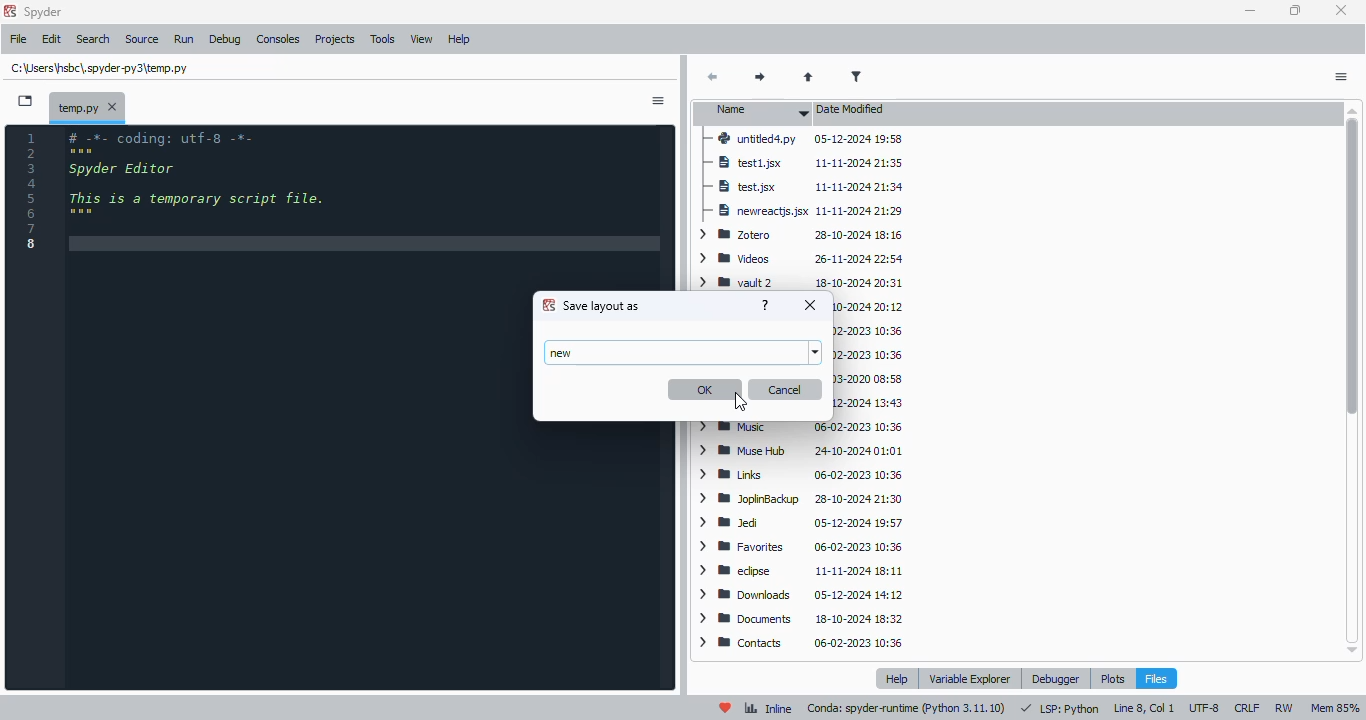 This screenshot has width=1366, height=720. I want to click on files, so click(1156, 678).